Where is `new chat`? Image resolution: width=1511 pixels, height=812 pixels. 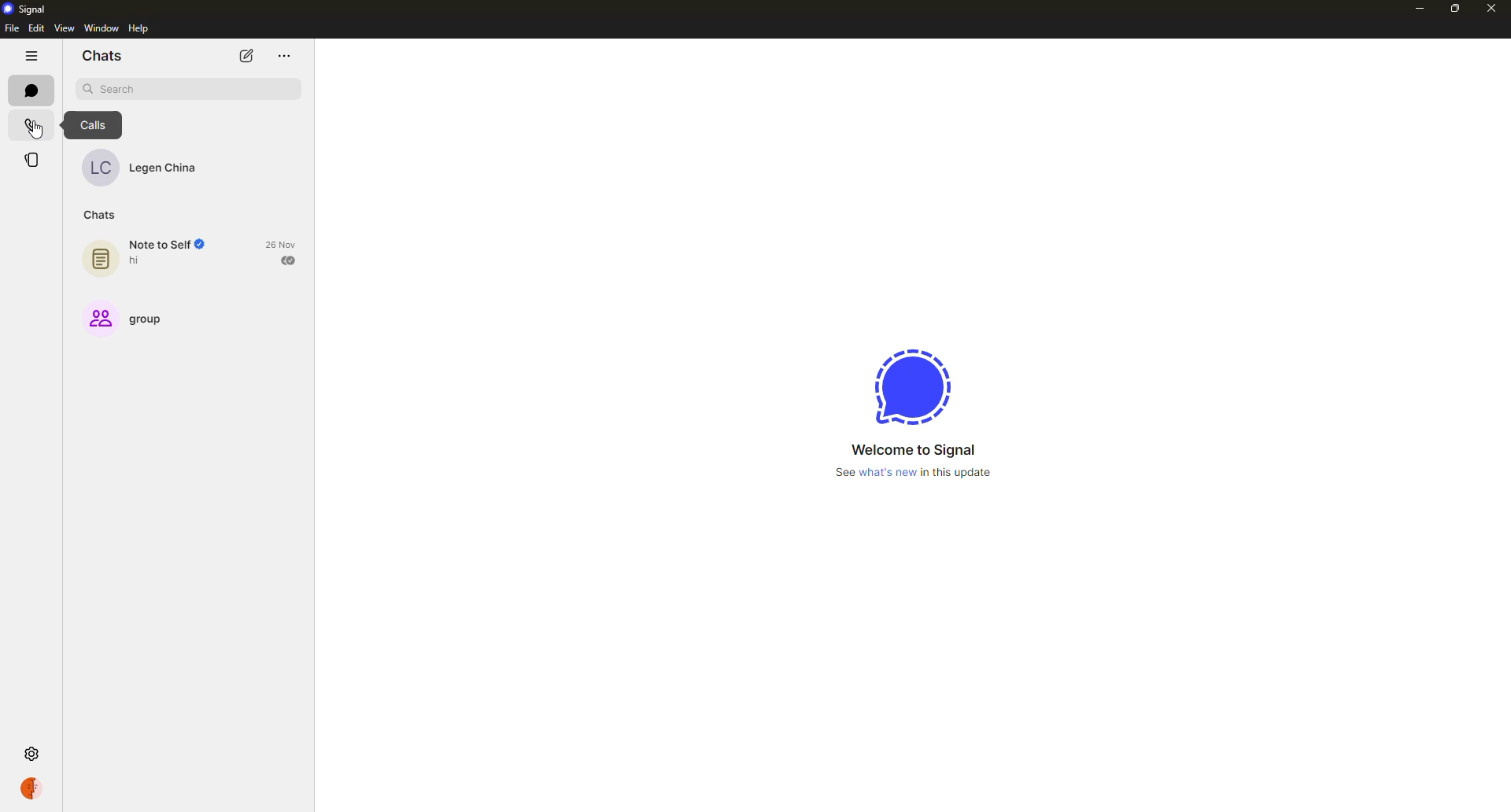
new chat is located at coordinates (248, 57).